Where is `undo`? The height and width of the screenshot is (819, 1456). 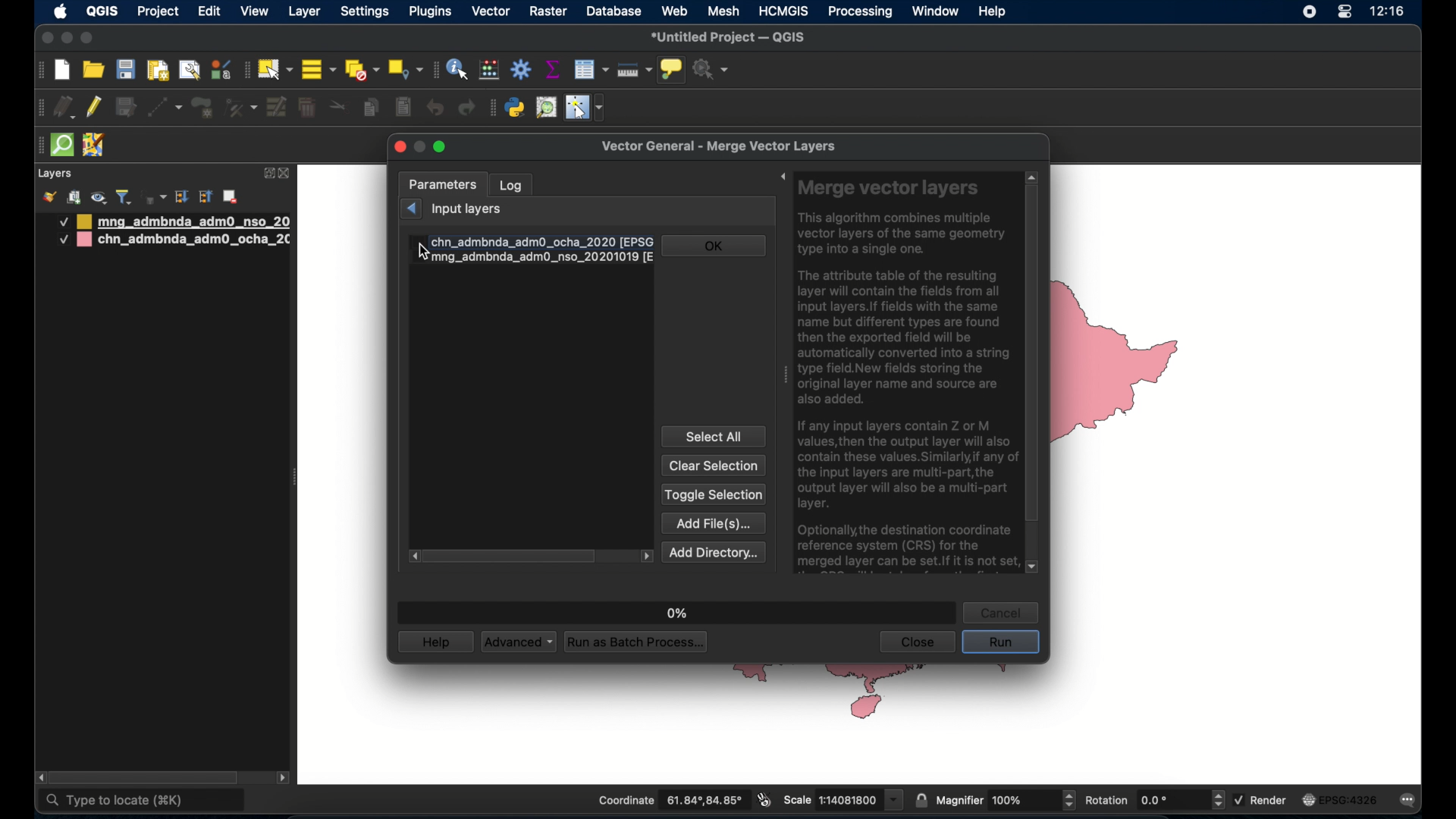 undo is located at coordinates (436, 108).